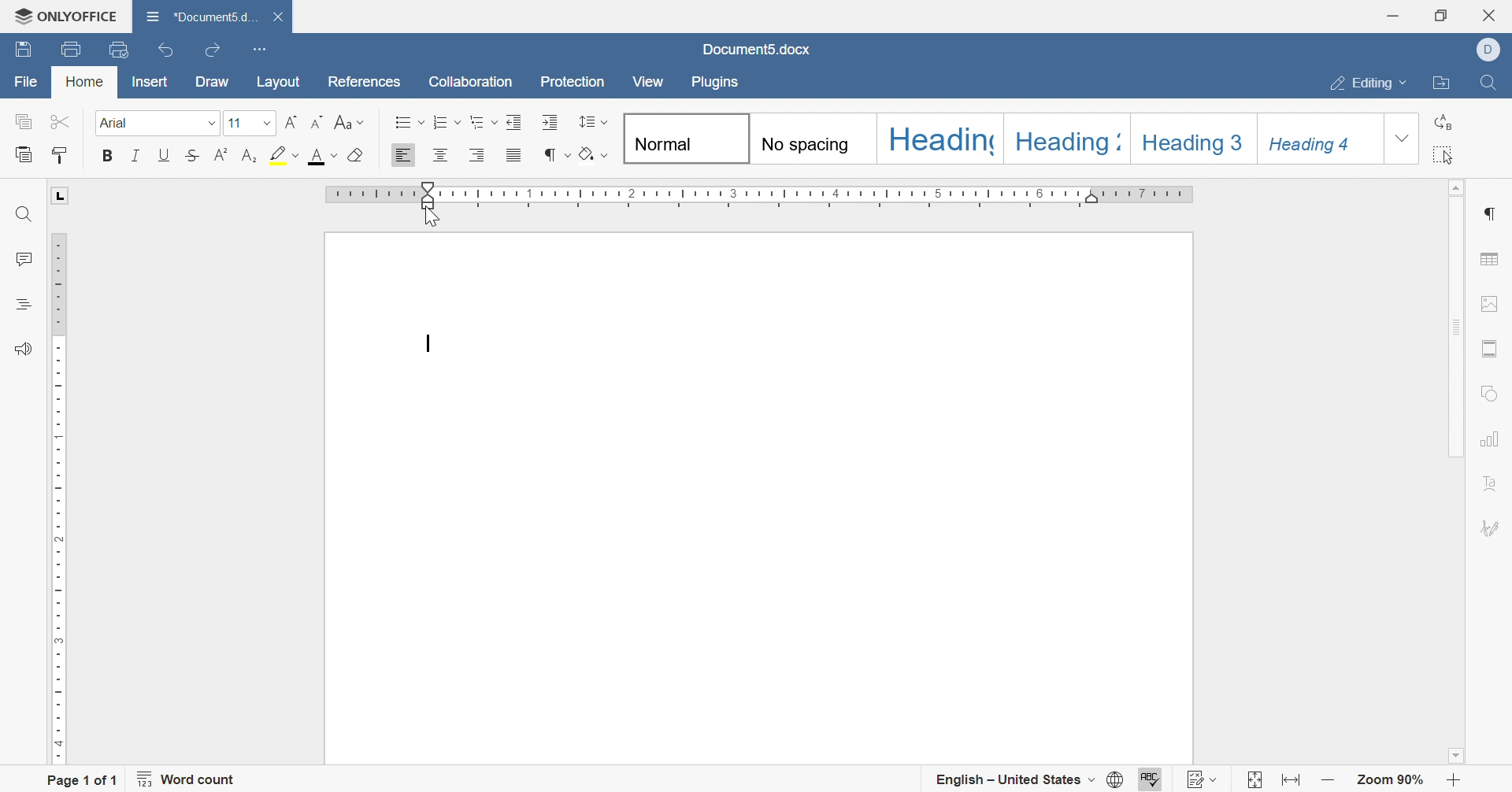  What do you see at coordinates (349, 121) in the screenshot?
I see `change case` at bounding box center [349, 121].